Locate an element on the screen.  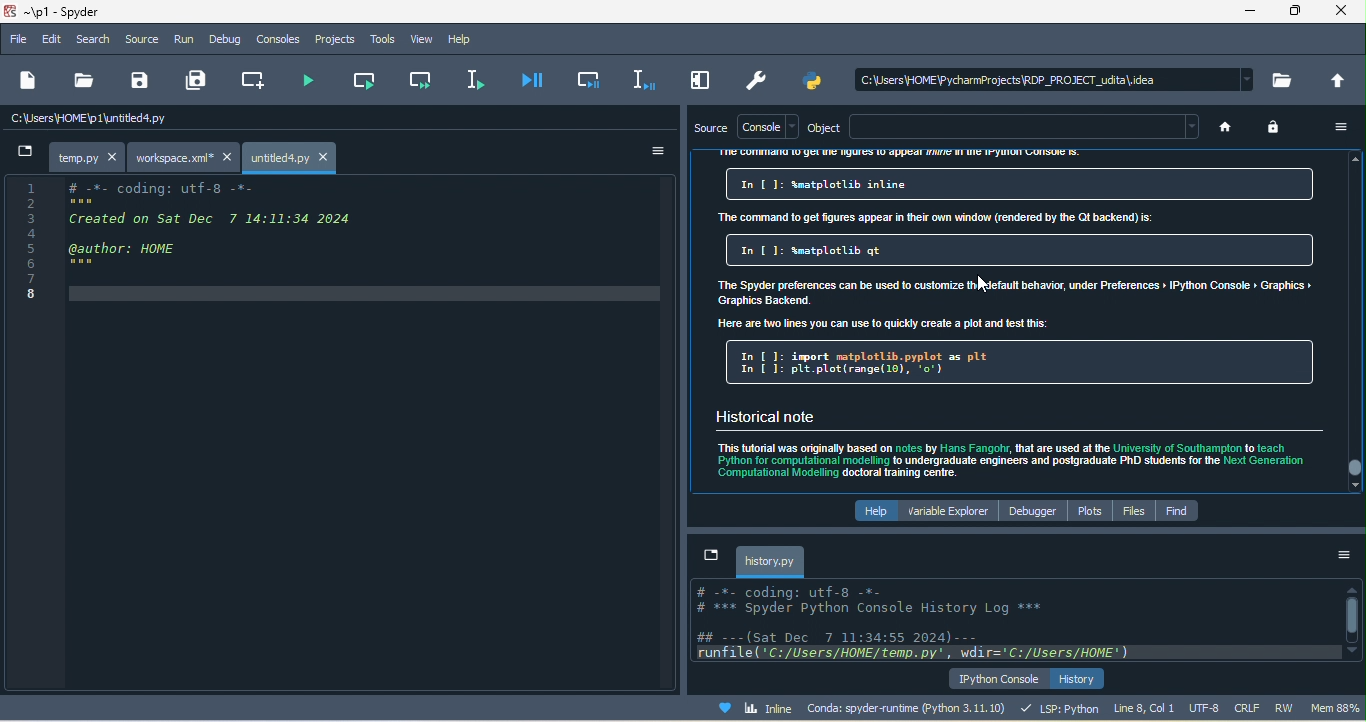
option is located at coordinates (1338, 555).